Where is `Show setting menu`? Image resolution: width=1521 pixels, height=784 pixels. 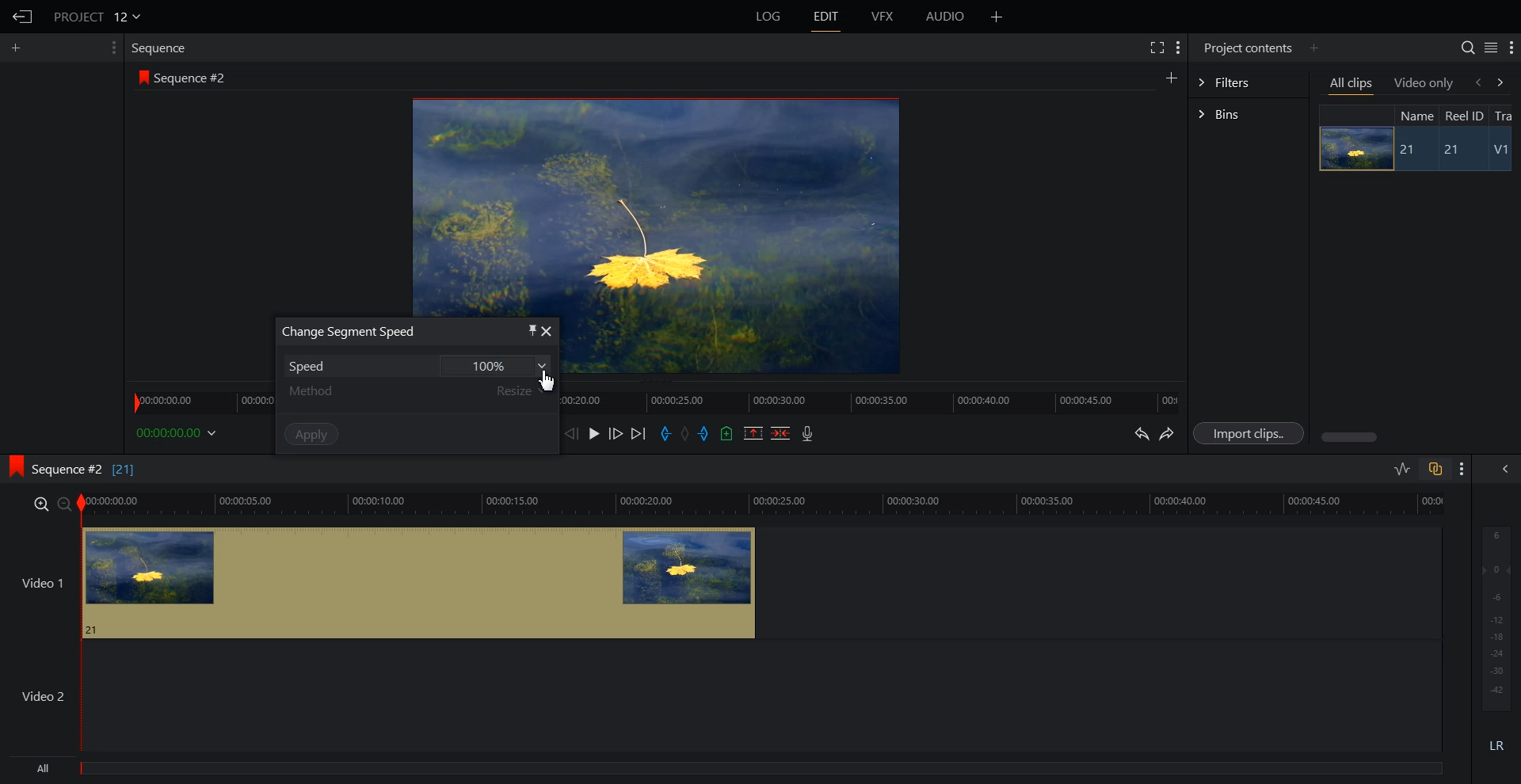 Show setting menu is located at coordinates (1462, 469).